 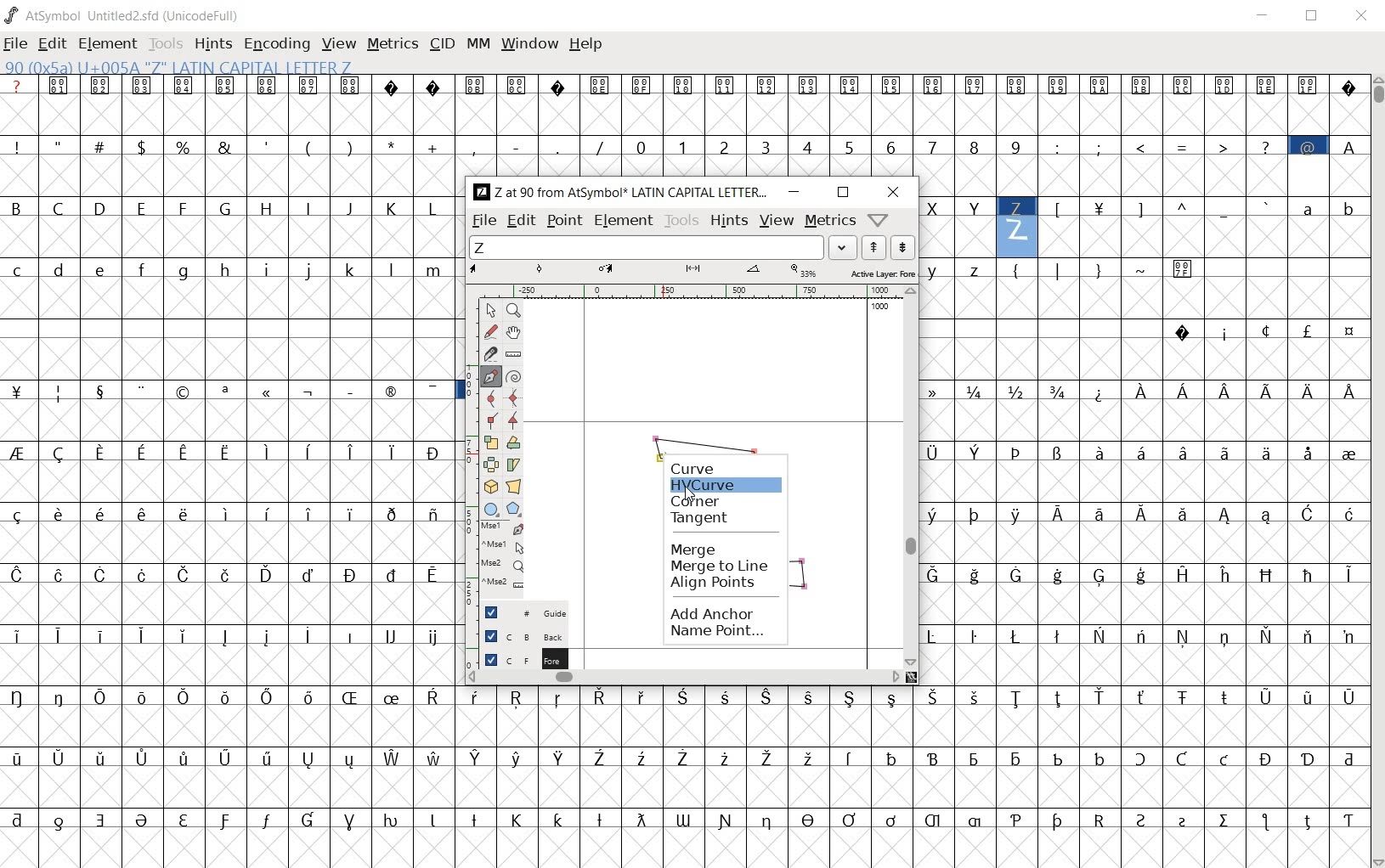 What do you see at coordinates (719, 633) in the screenshot?
I see `name point` at bounding box center [719, 633].